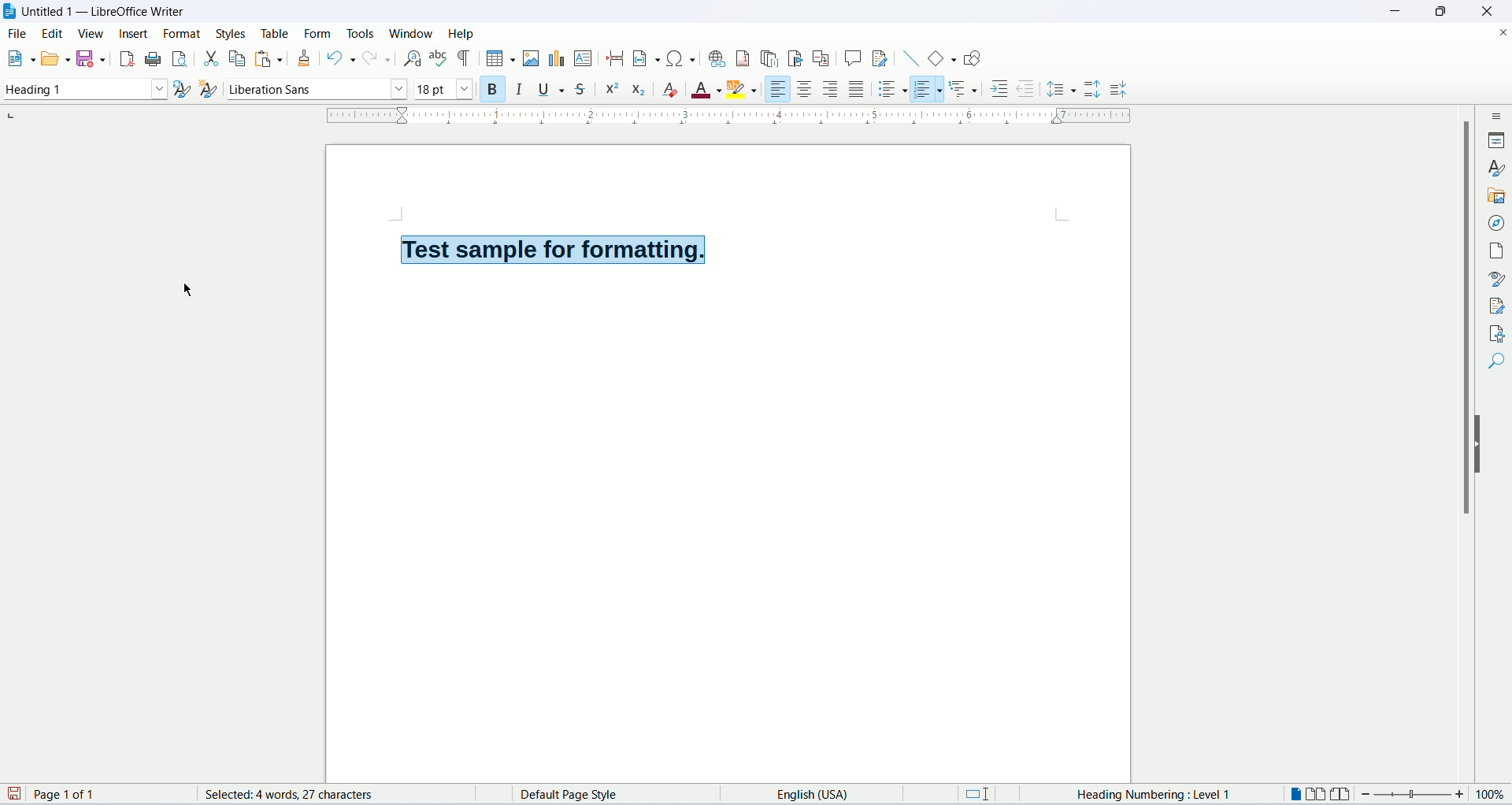 The height and width of the screenshot is (805, 1512). Describe the element at coordinates (181, 88) in the screenshot. I see `update selected style` at that location.